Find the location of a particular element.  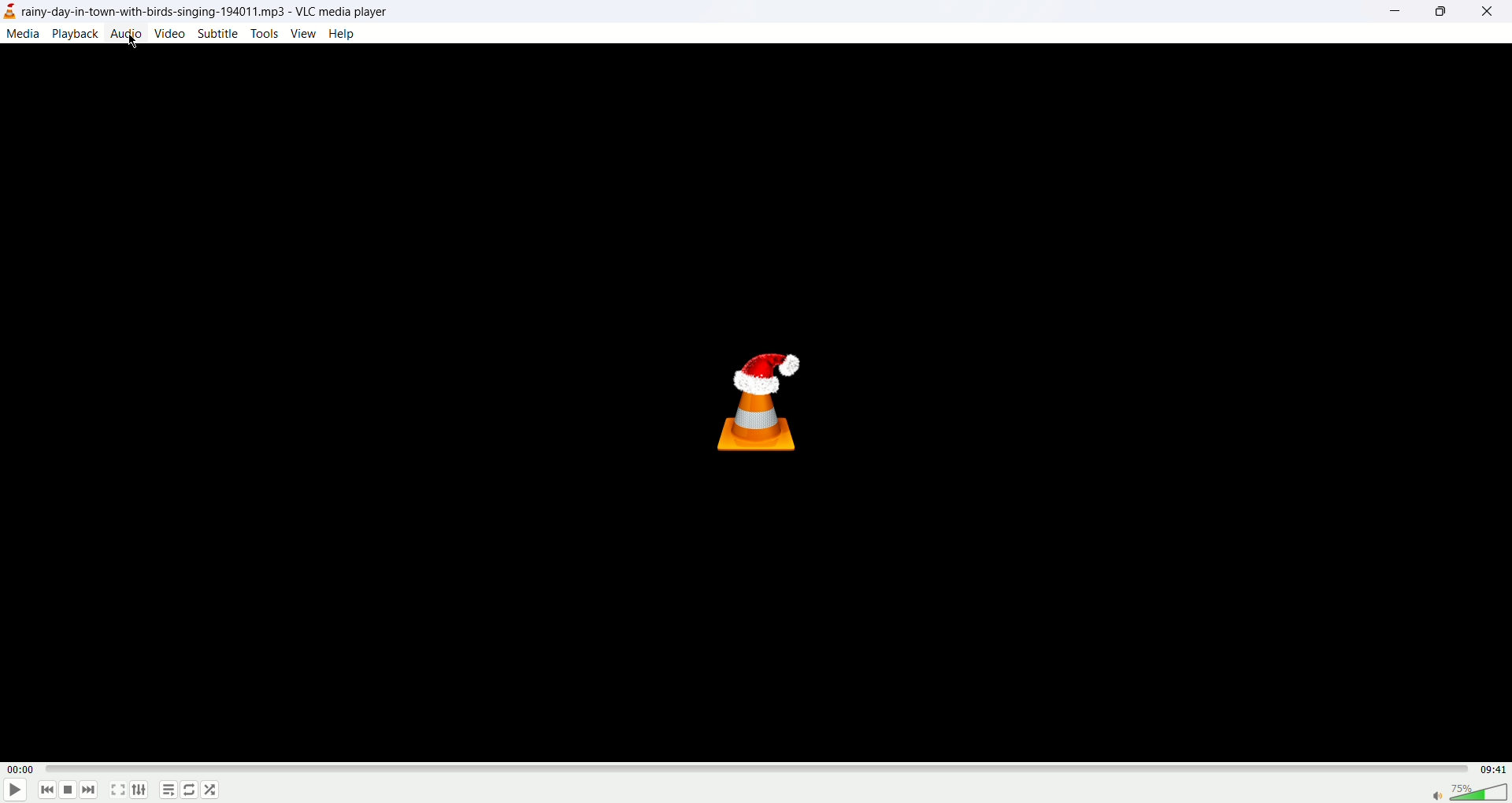

view is located at coordinates (302, 34).